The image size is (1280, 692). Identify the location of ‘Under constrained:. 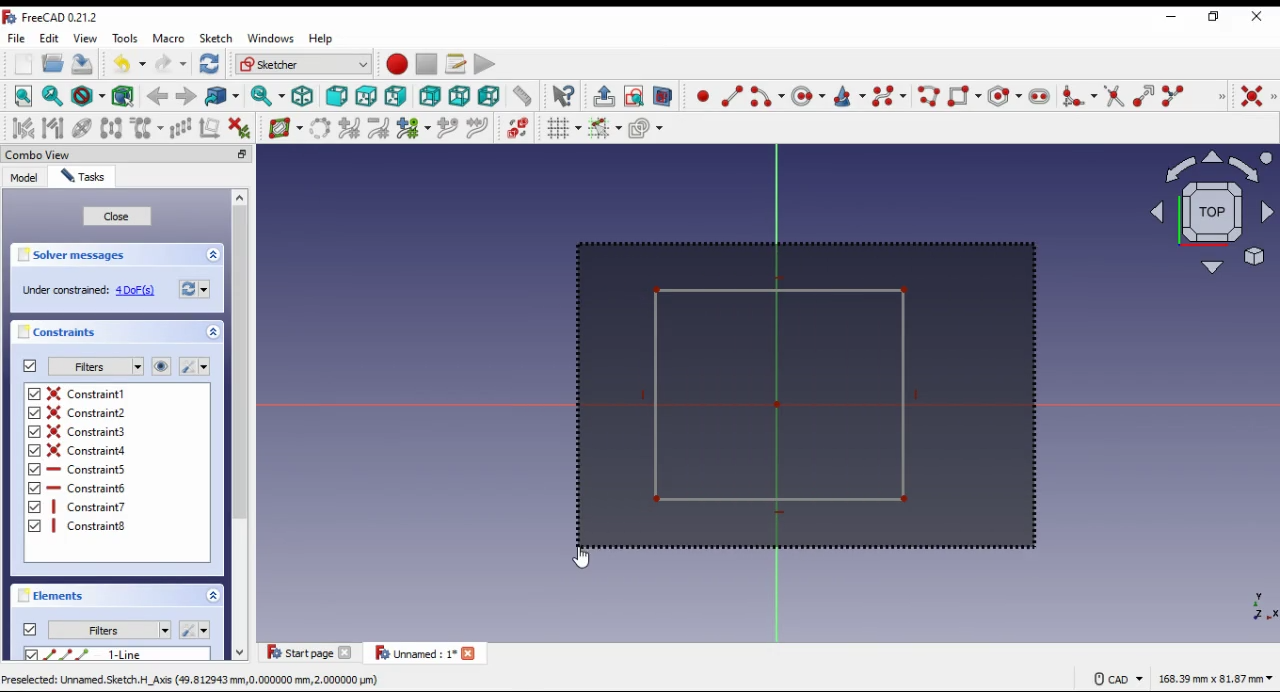
(65, 291).